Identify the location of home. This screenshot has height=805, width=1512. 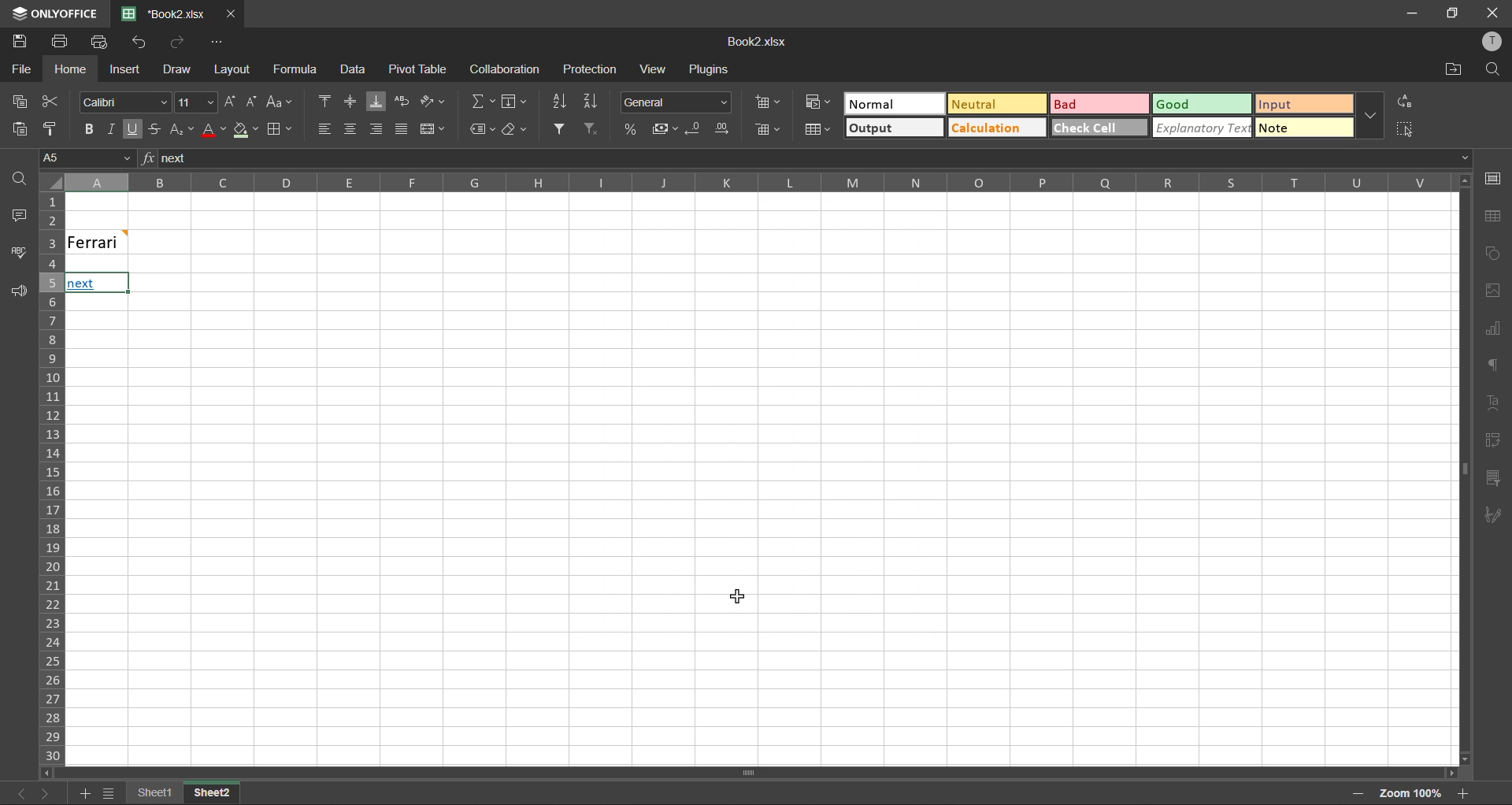
(66, 69).